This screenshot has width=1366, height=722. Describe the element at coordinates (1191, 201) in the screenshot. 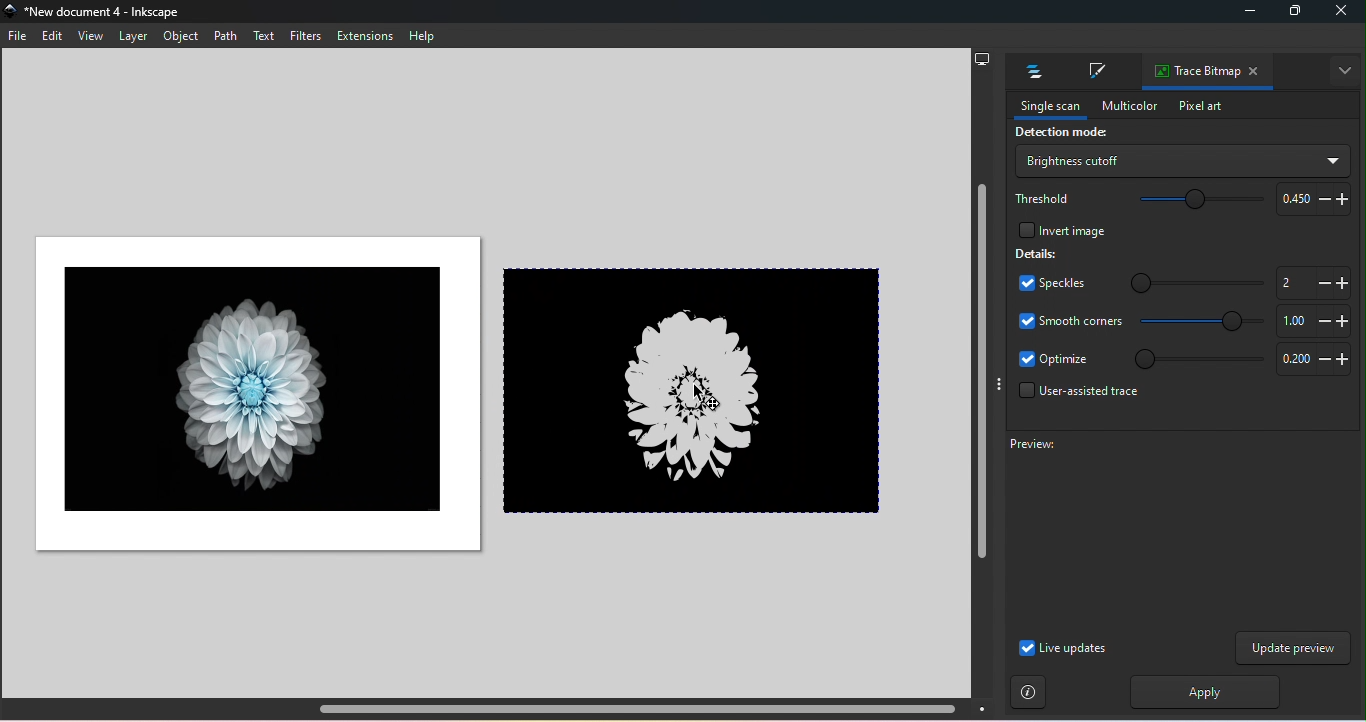

I see `Threshold slide bar` at that location.